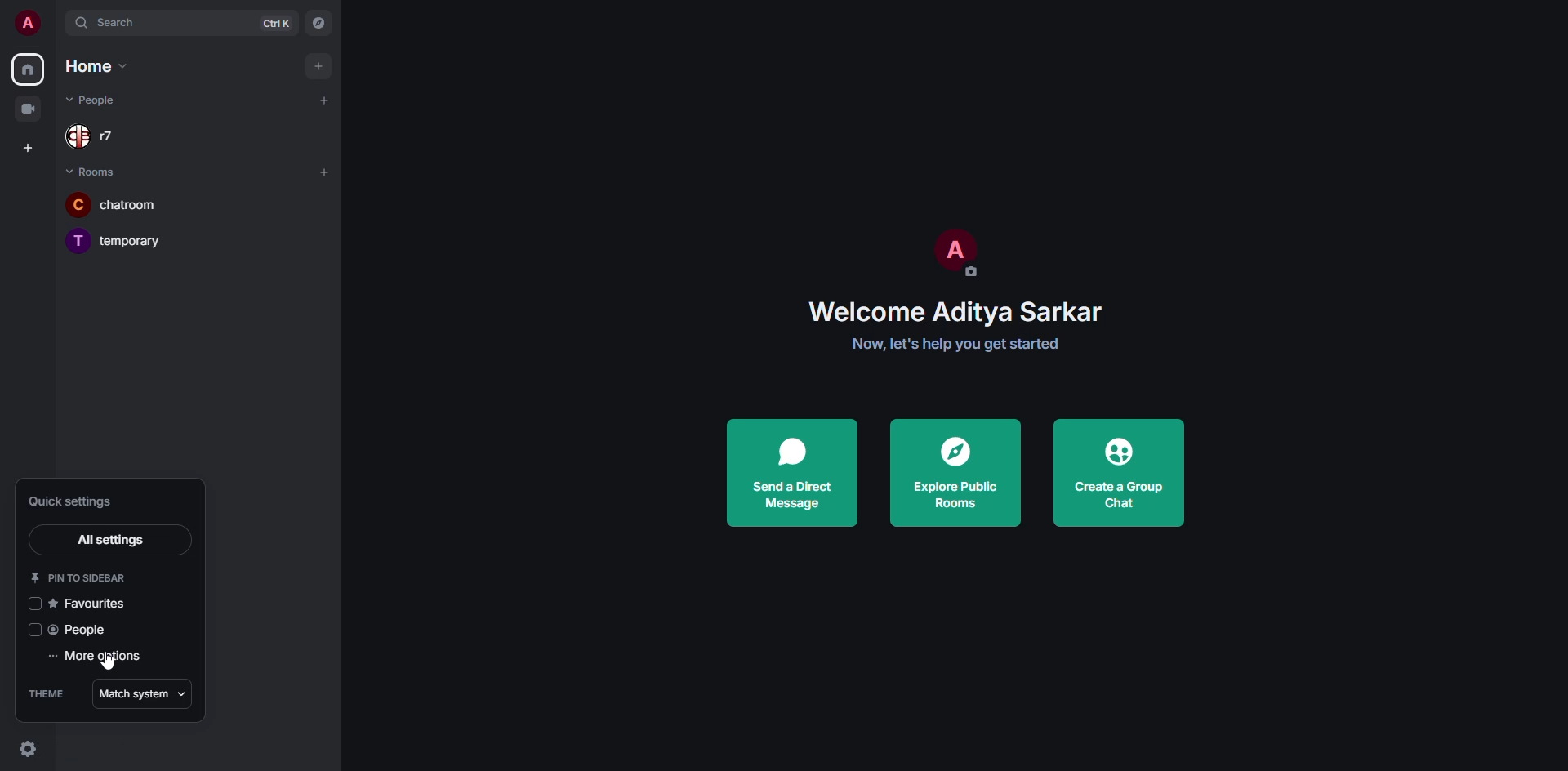 The width and height of the screenshot is (1568, 771). Describe the element at coordinates (93, 65) in the screenshot. I see `home` at that location.